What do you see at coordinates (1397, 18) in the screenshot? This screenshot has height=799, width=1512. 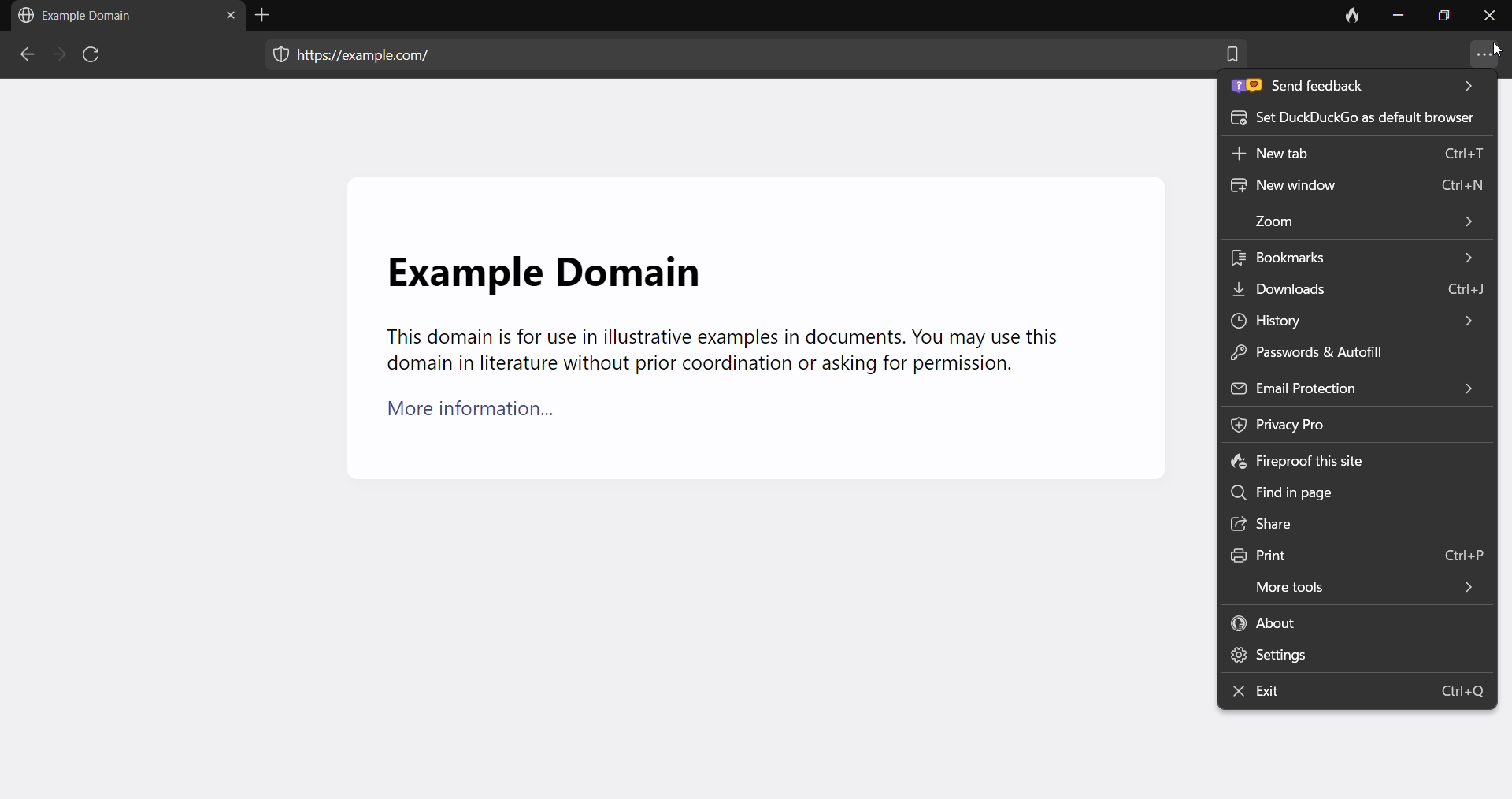 I see `minimize` at bounding box center [1397, 18].